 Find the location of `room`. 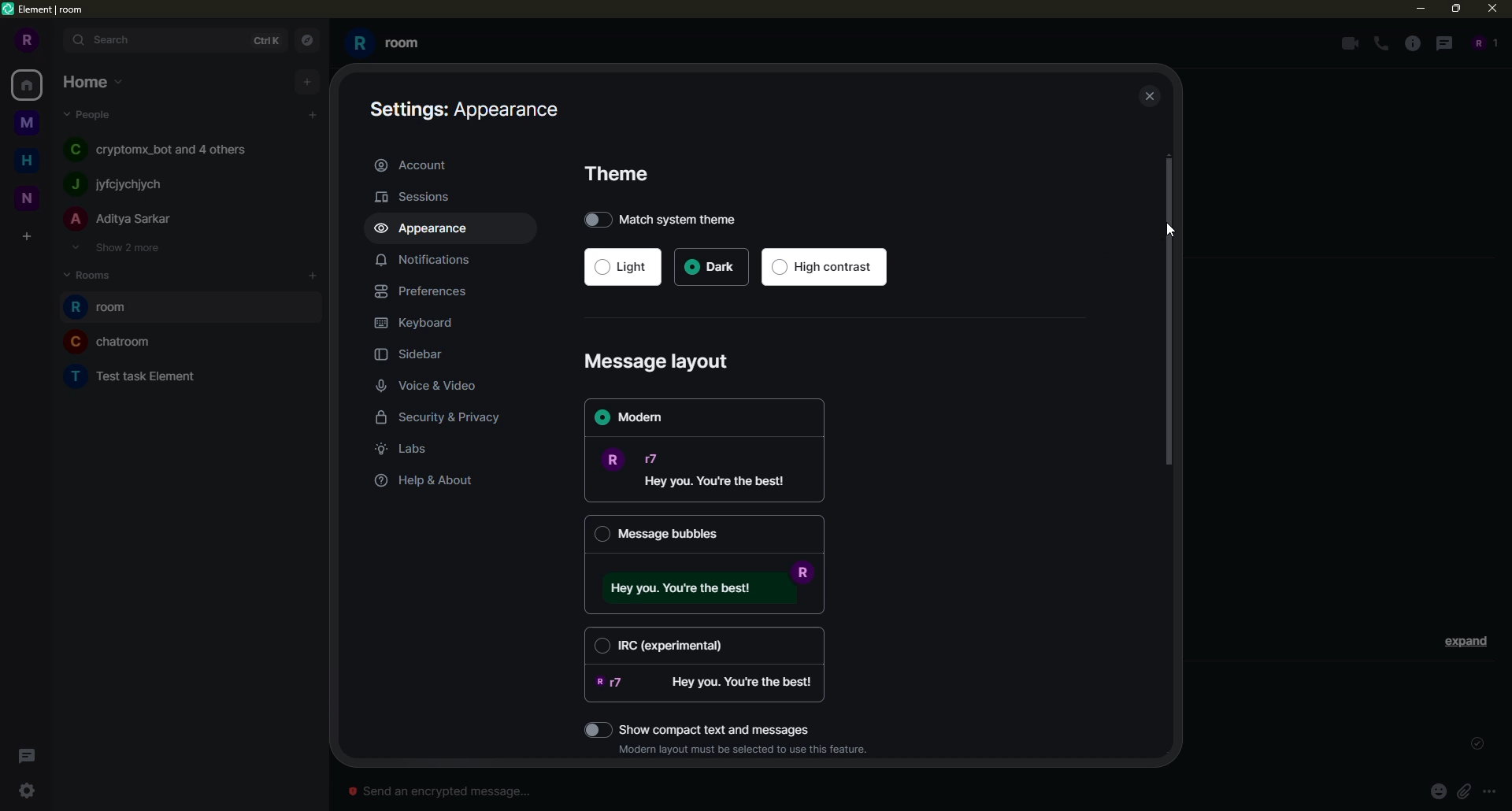

room is located at coordinates (112, 341).